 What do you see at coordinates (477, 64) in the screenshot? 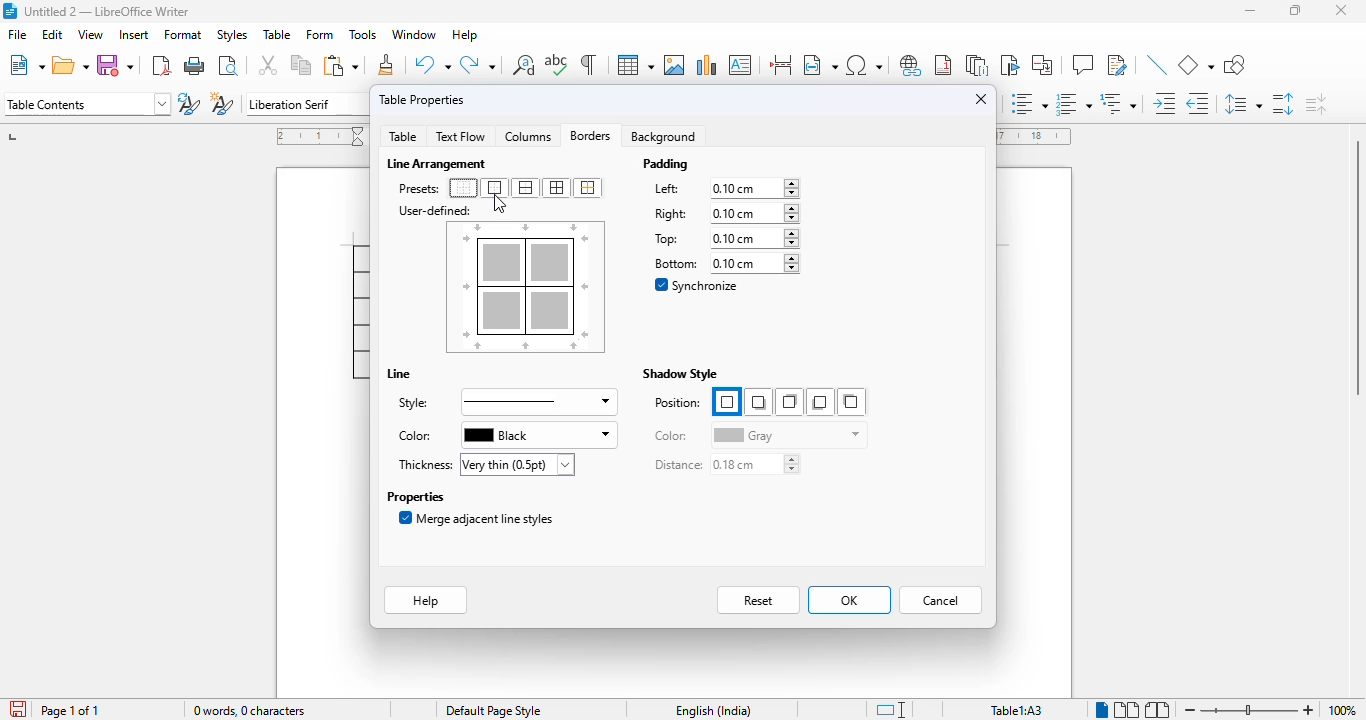
I see `redo` at bounding box center [477, 64].